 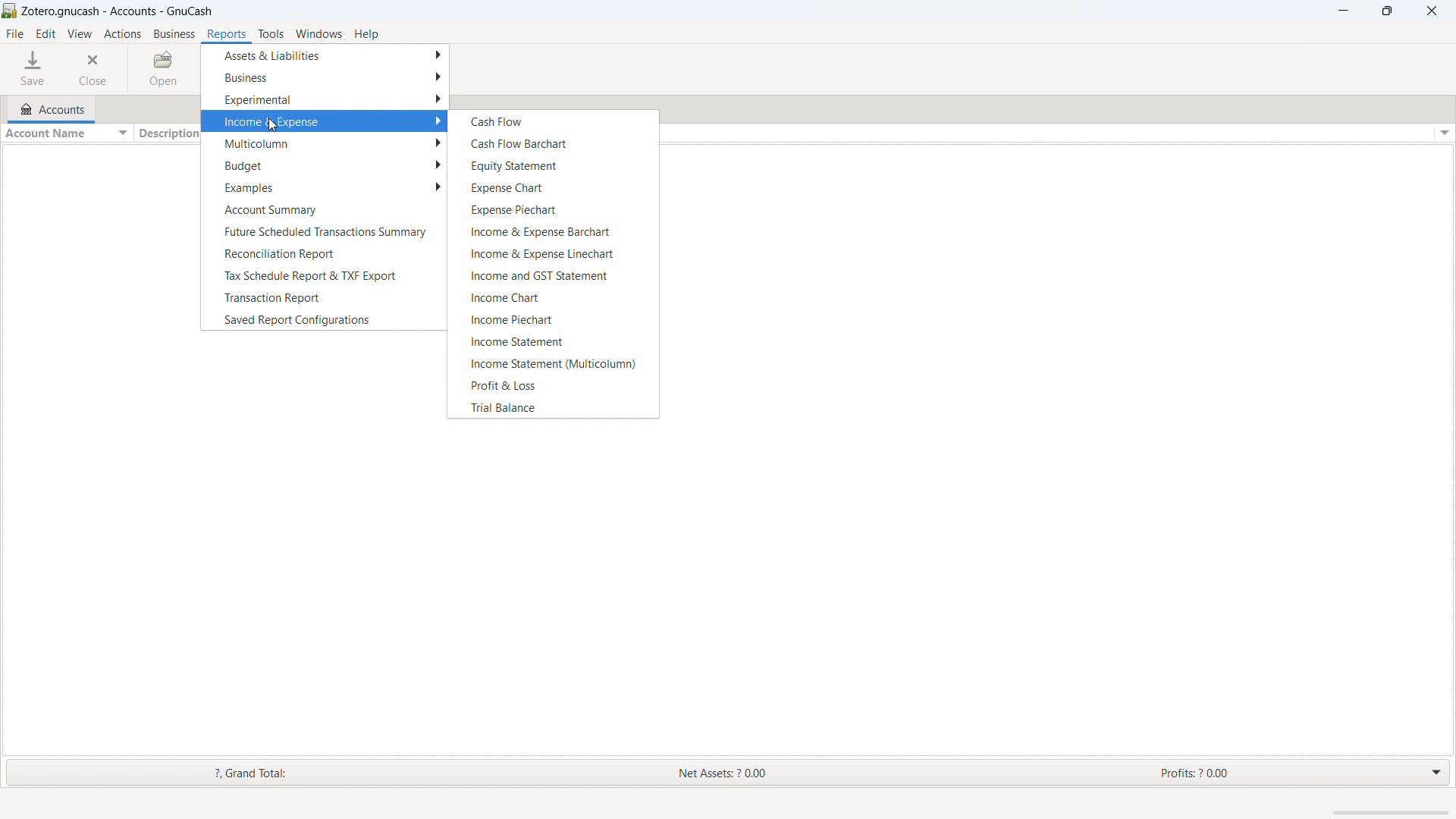 What do you see at coordinates (33, 69) in the screenshot?
I see `save` at bounding box center [33, 69].